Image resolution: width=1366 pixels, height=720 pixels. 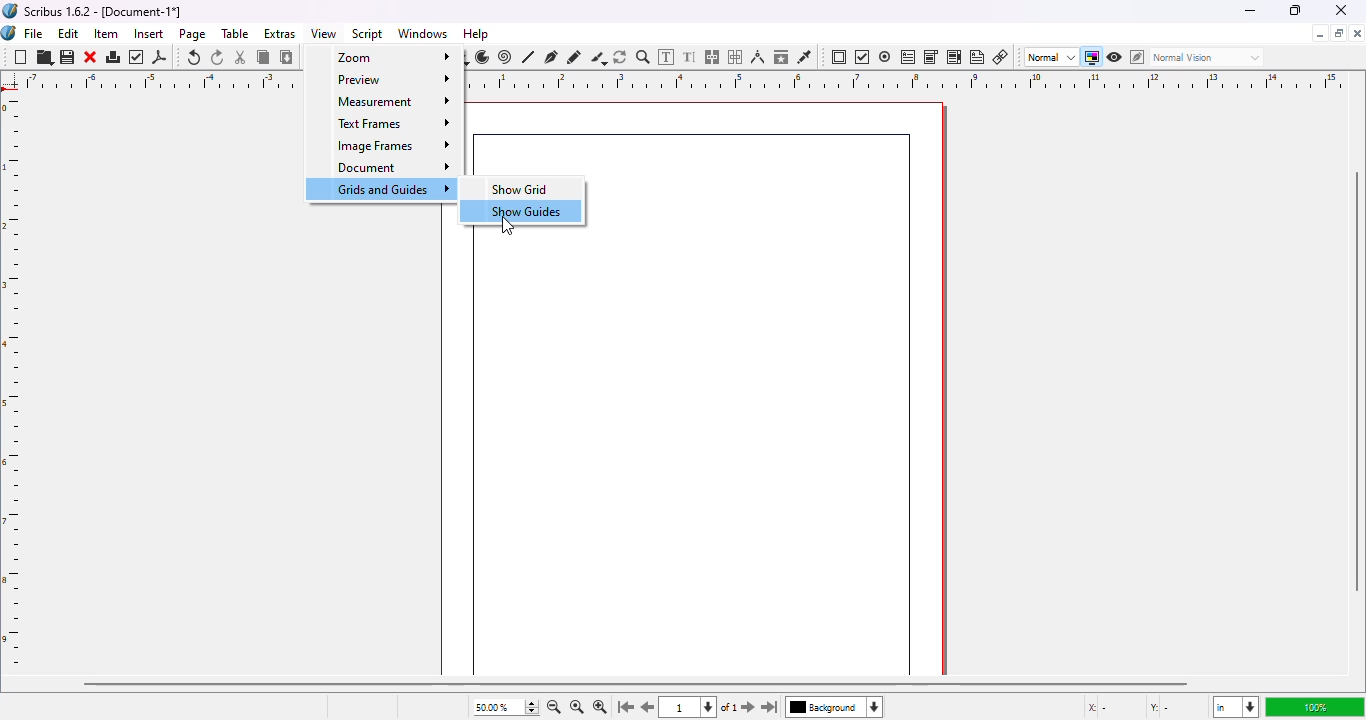 What do you see at coordinates (194, 57) in the screenshot?
I see `undo` at bounding box center [194, 57].